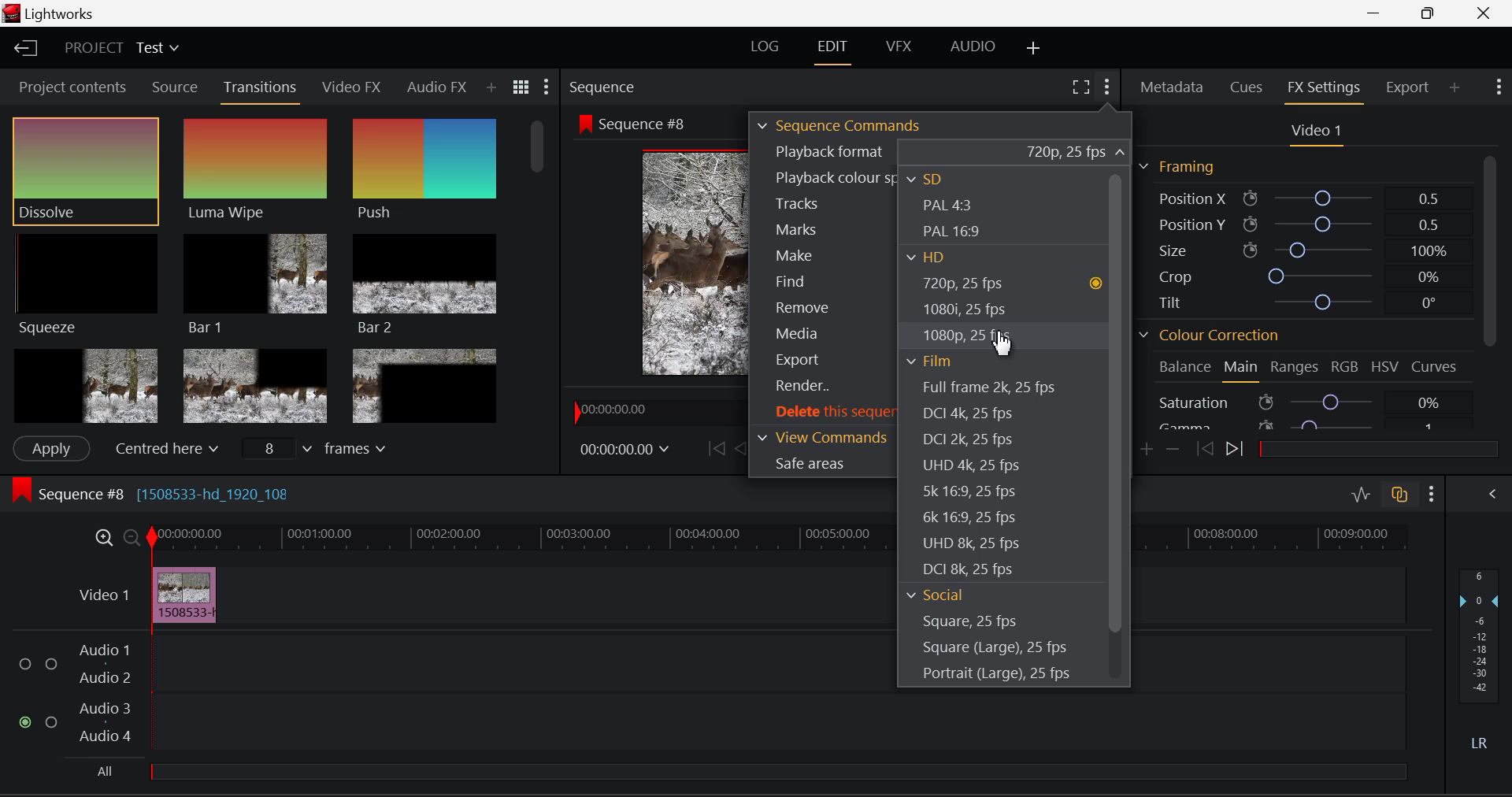  Describe the element at coordinates (823, 280) in the screenshot. I see `Find` at that location.